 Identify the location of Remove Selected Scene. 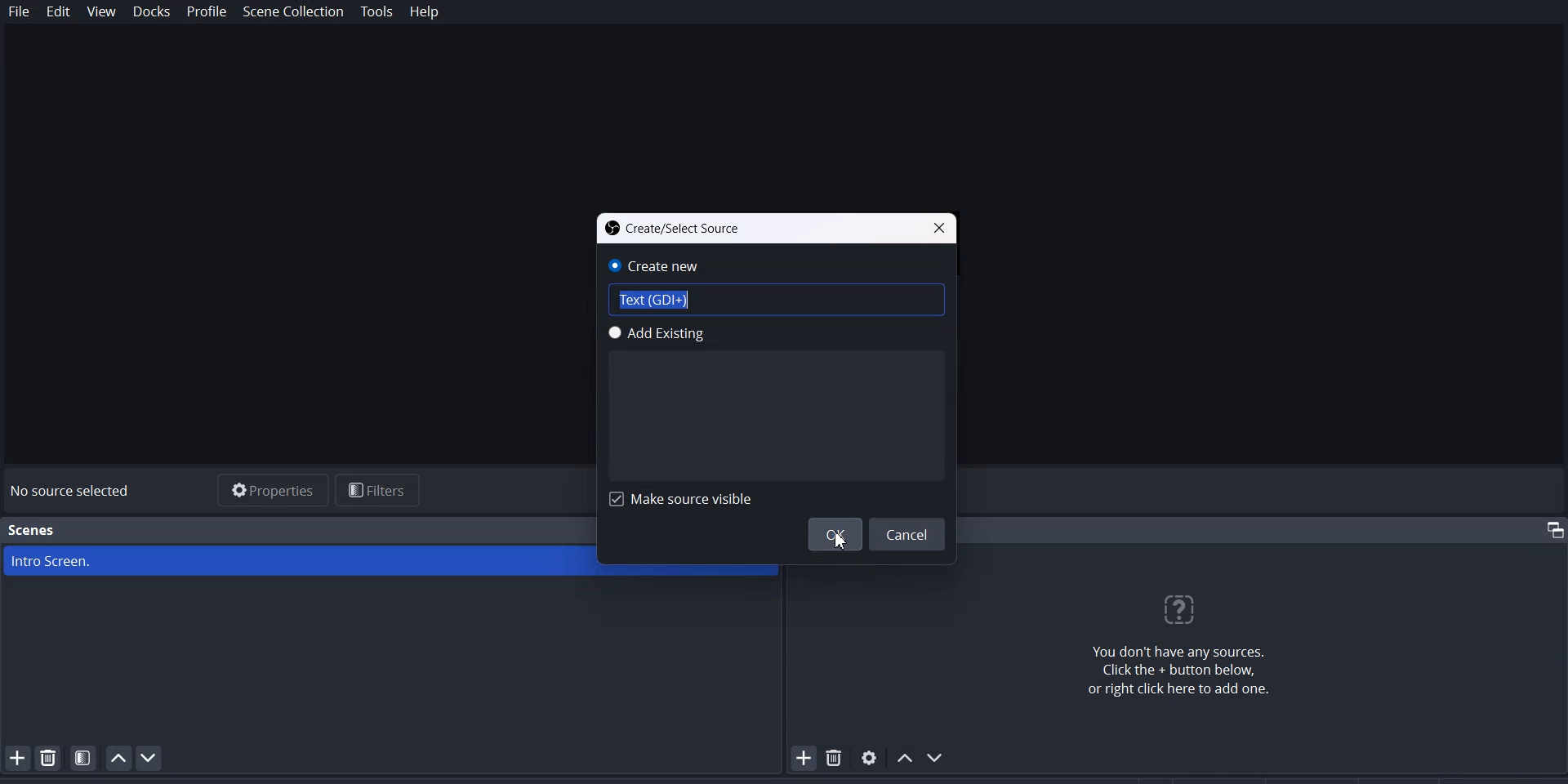
(49, 757).